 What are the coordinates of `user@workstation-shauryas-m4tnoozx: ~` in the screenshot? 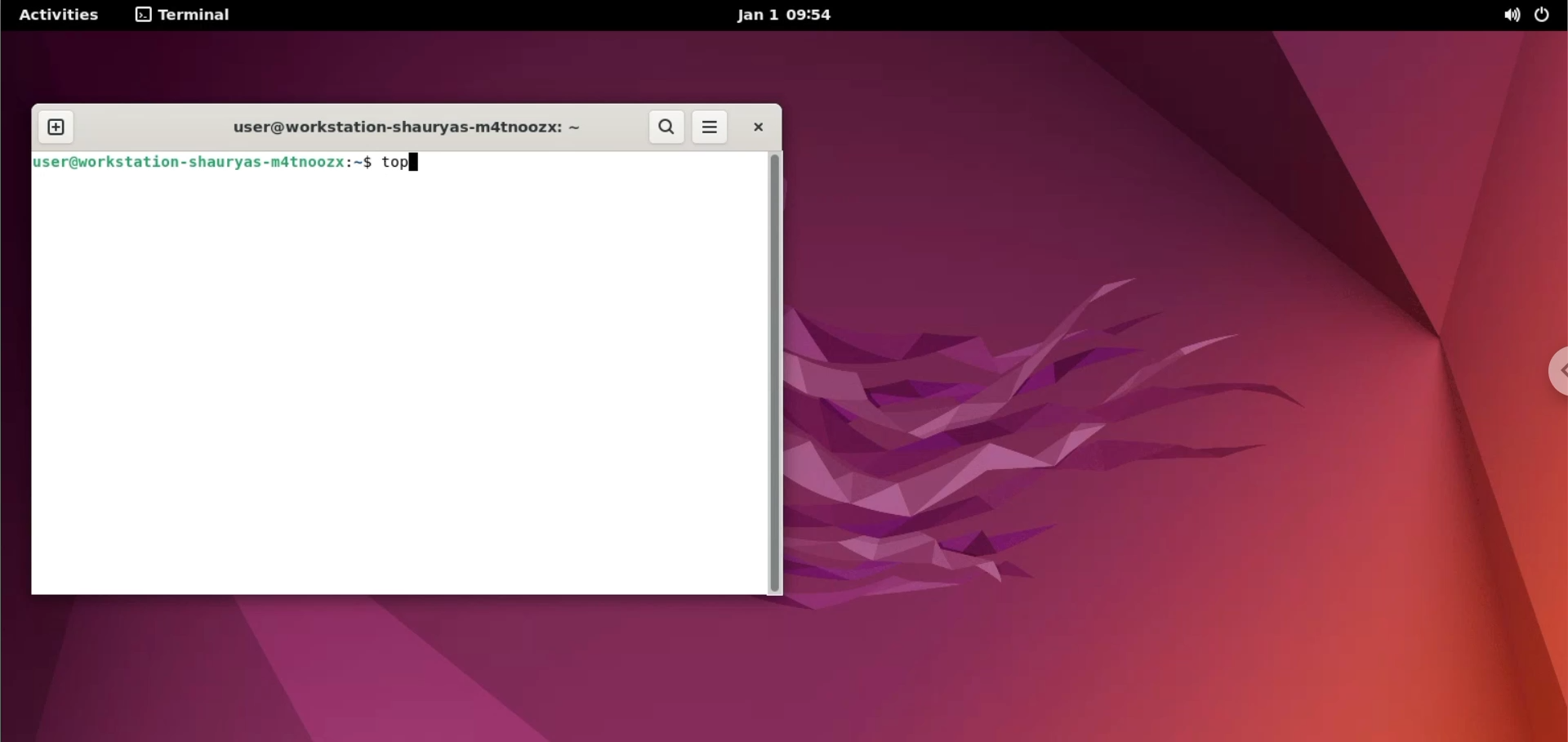 It's located at (402, 124).